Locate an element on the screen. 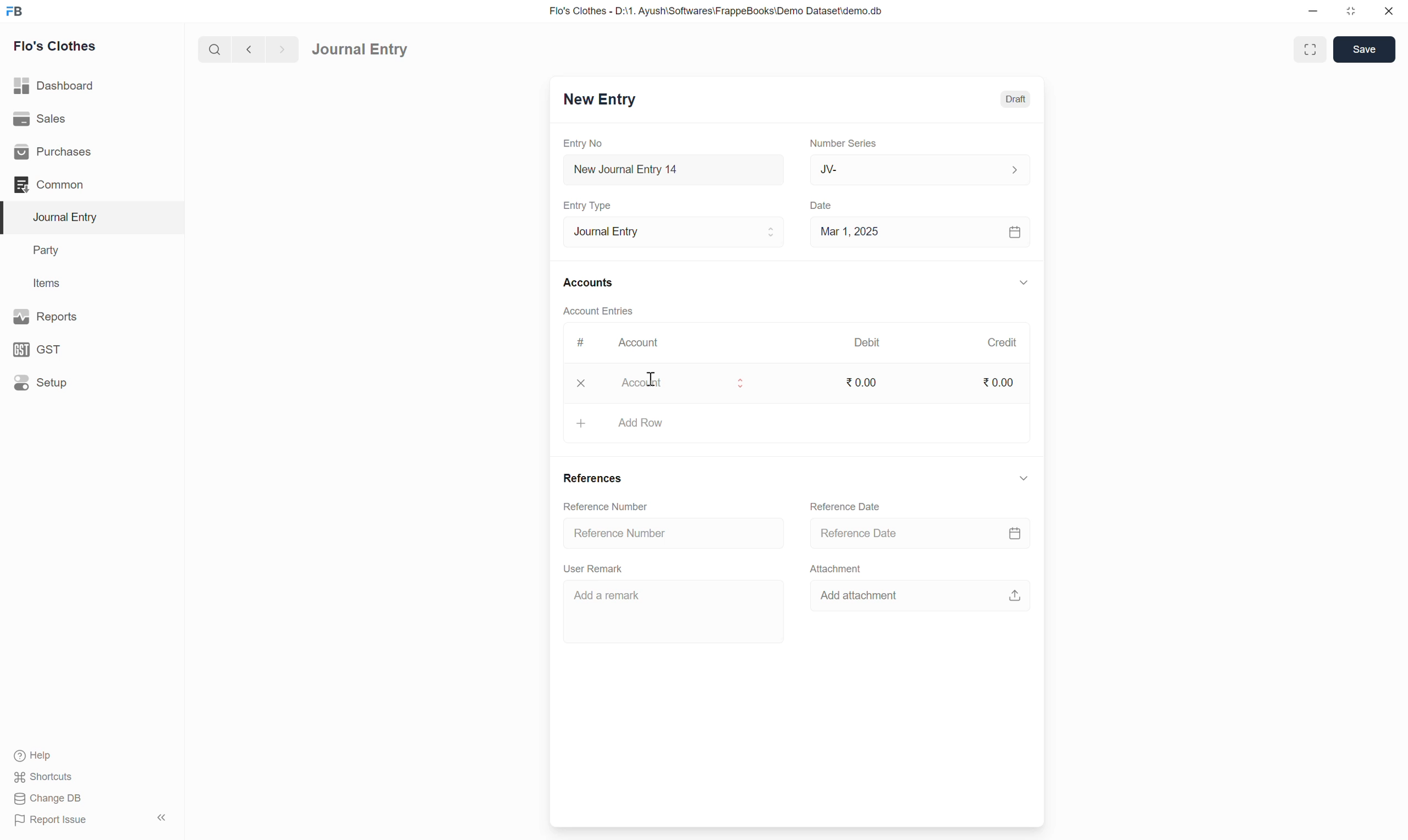 The height and width of the screenshot is (840, 1408). back is located at coordinates (246, 49).